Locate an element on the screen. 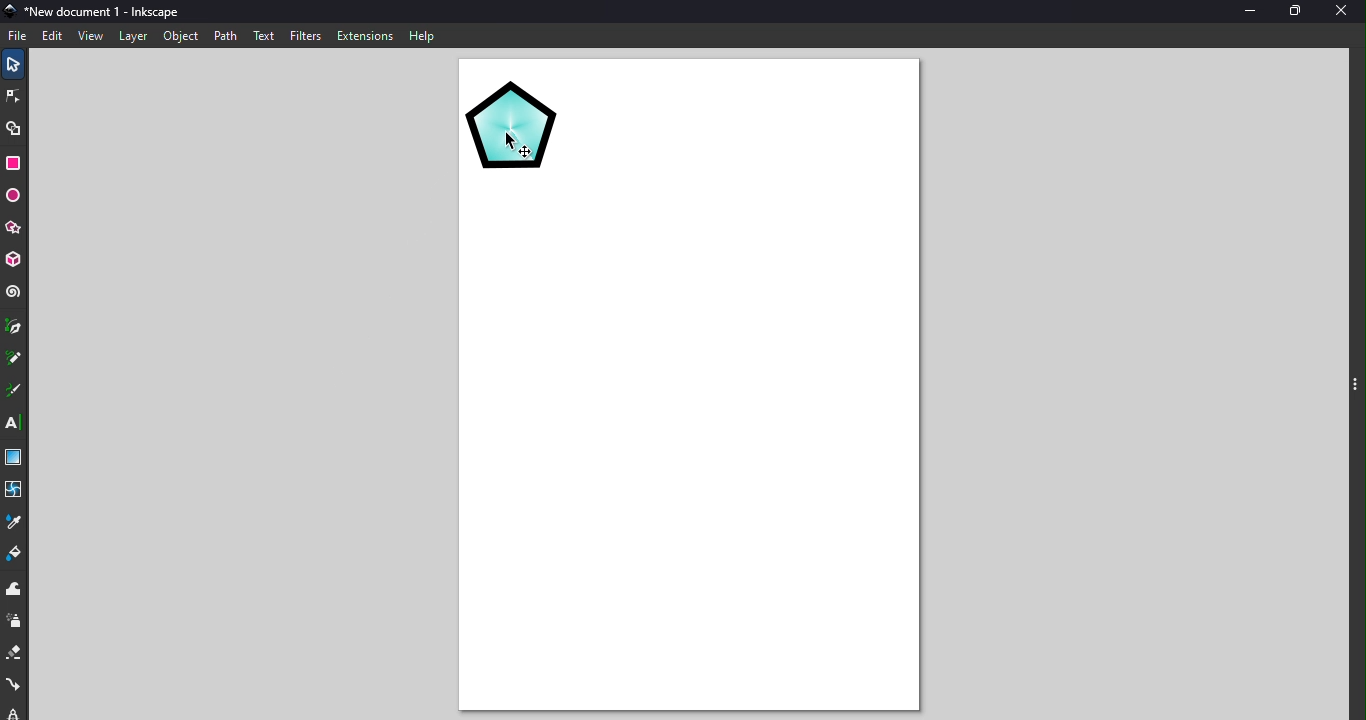 The height and width of the screenshot is (720, 1366). Dropper tool is located at coordinates (17, 521).